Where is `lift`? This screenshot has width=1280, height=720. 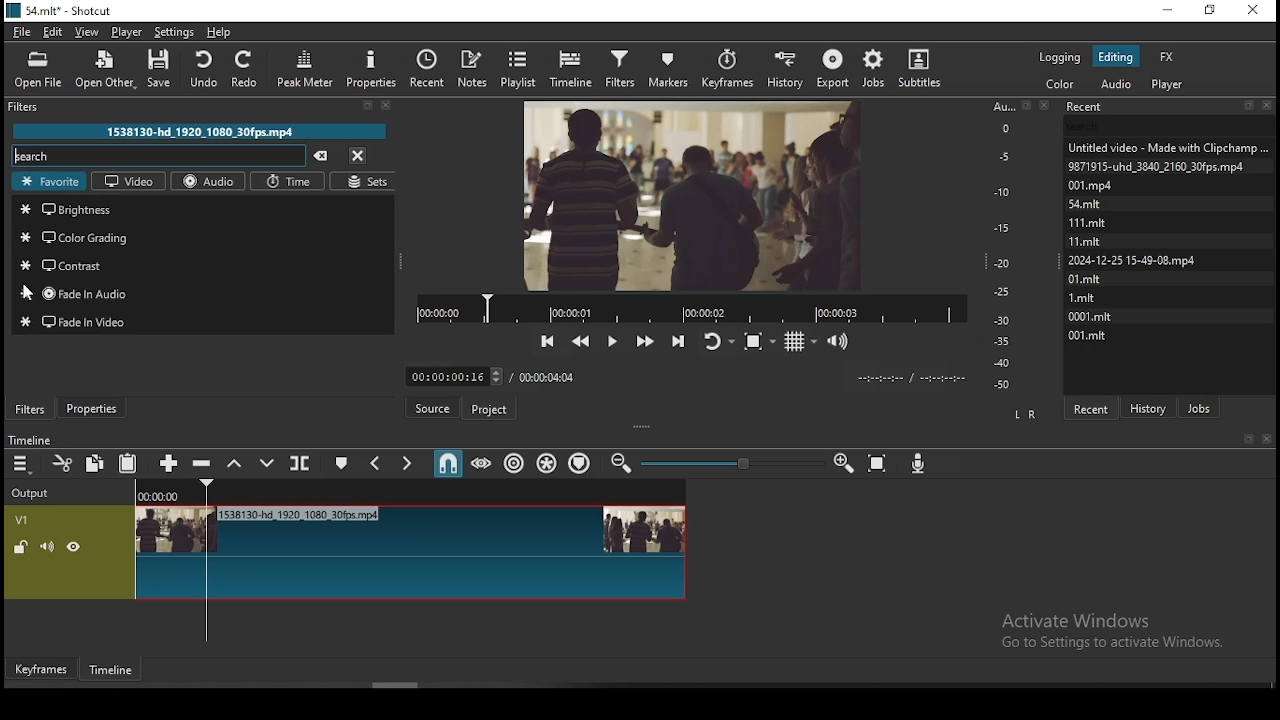 lift is located at coordinates (231, 463).